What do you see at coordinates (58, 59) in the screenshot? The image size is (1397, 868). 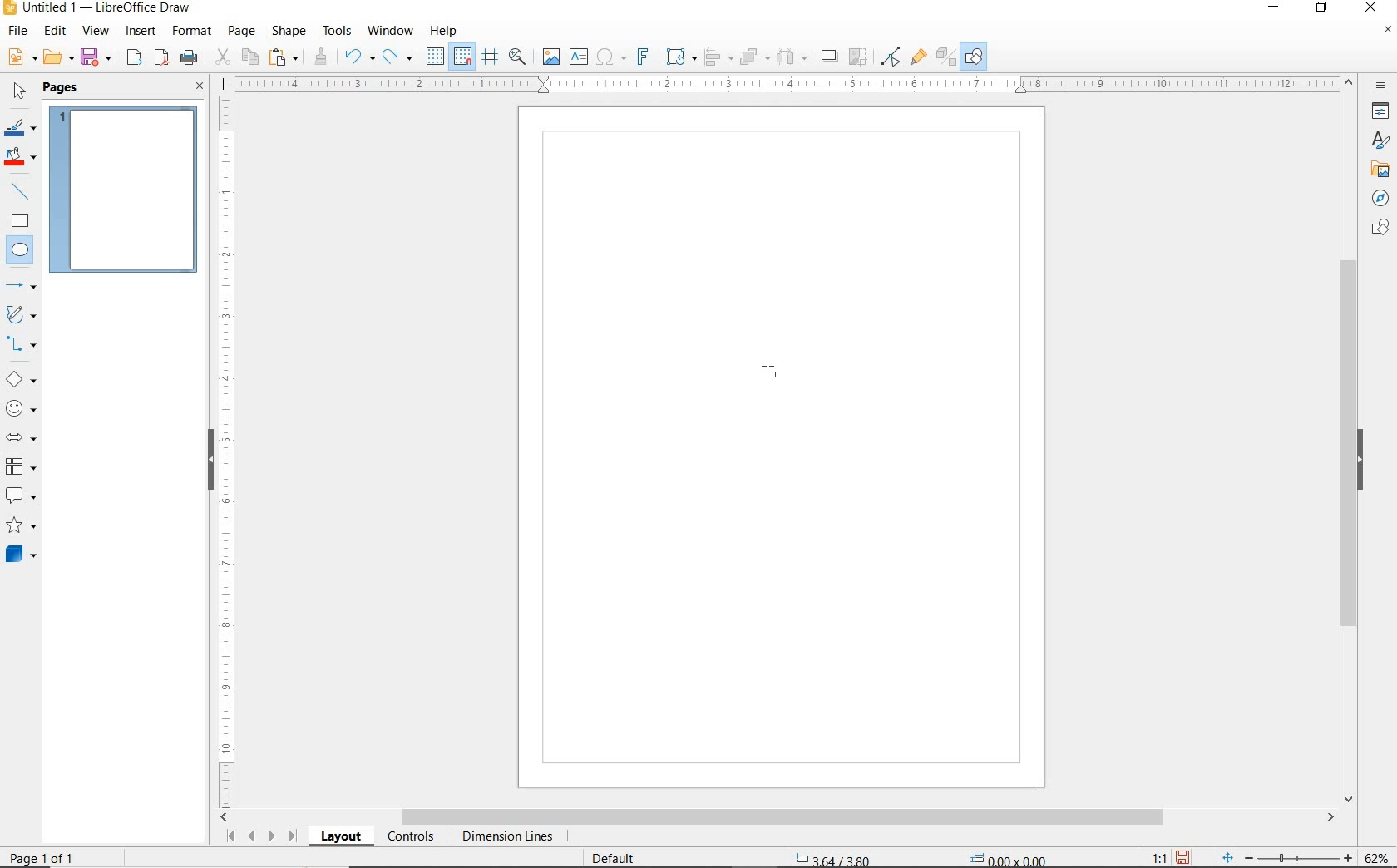 I see `OPEN` at bounding box center [58, 59].